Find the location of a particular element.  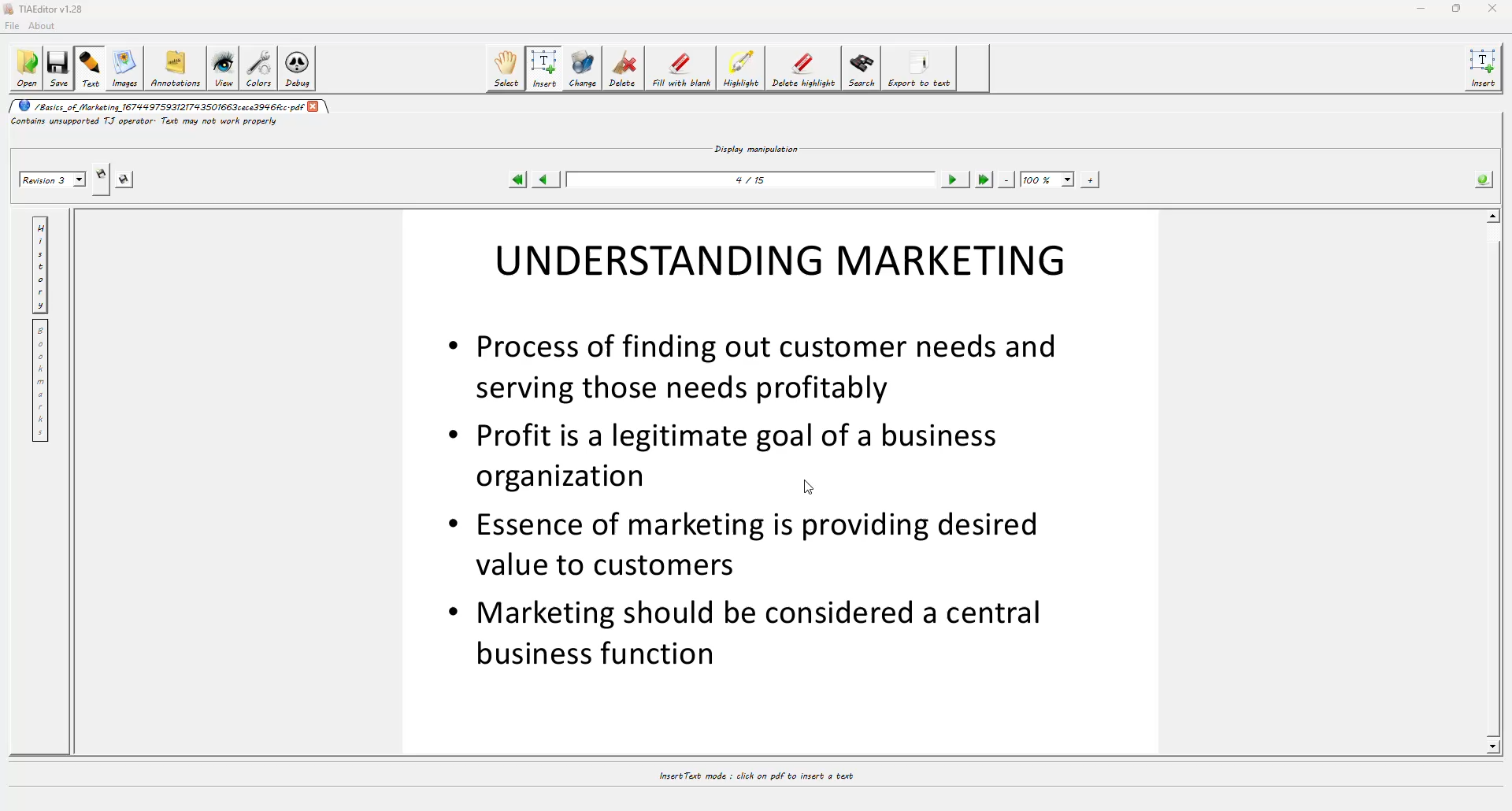

debug is located at coordinates (299, 67).